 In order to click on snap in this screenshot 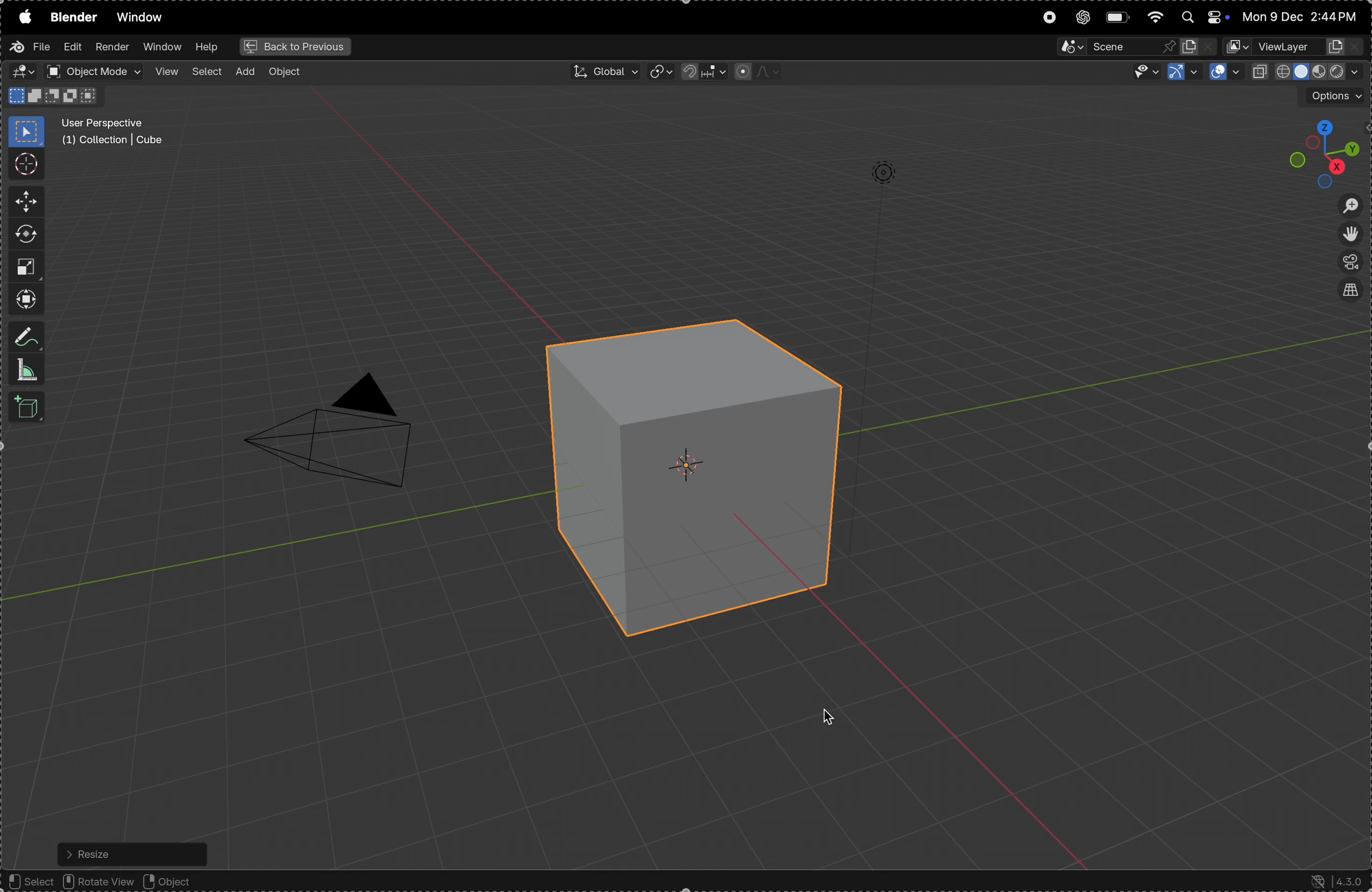, I will do `click(699, 72)`.